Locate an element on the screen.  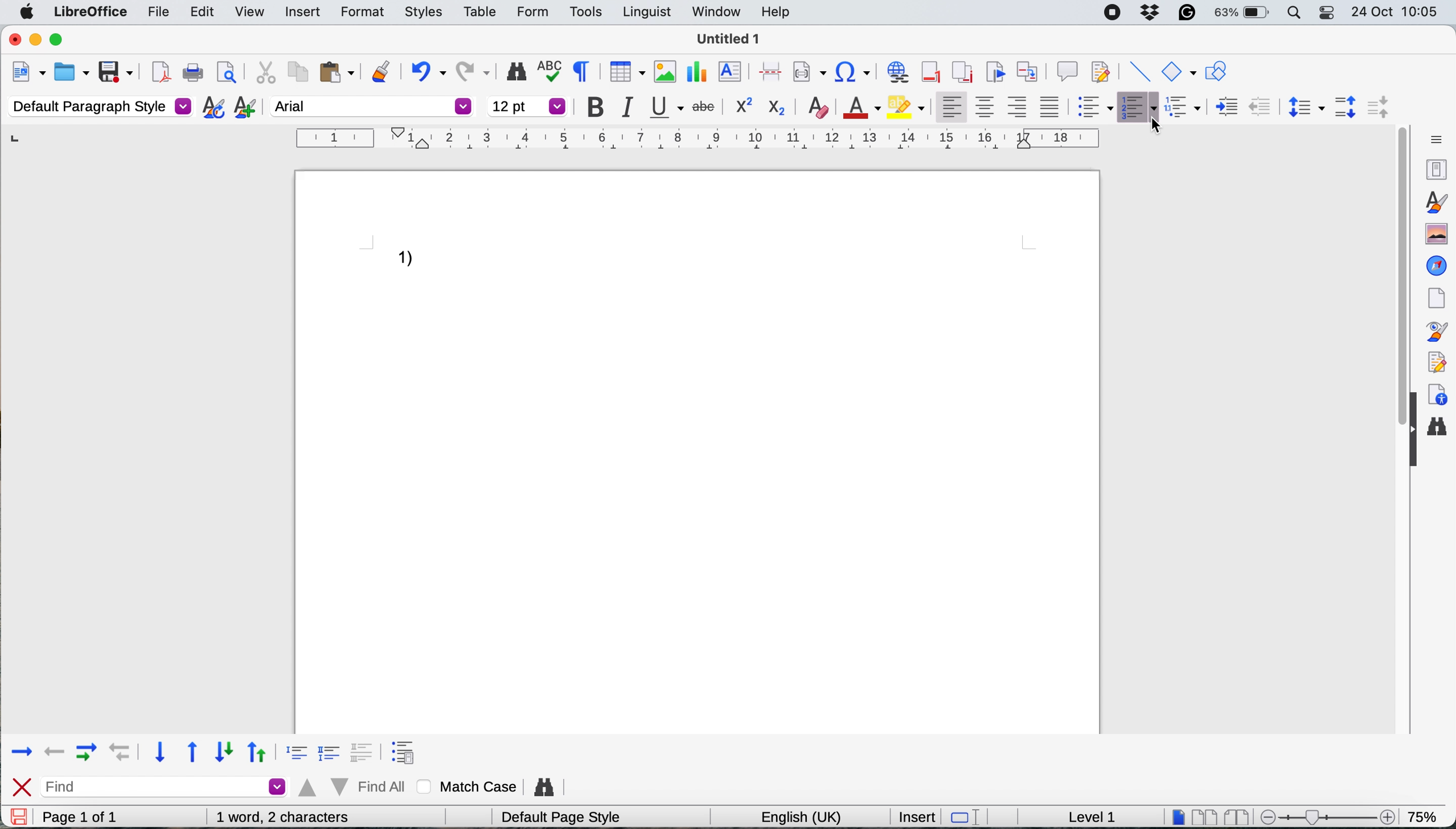
toggle unordered list is located at coordinates (1096, 109).